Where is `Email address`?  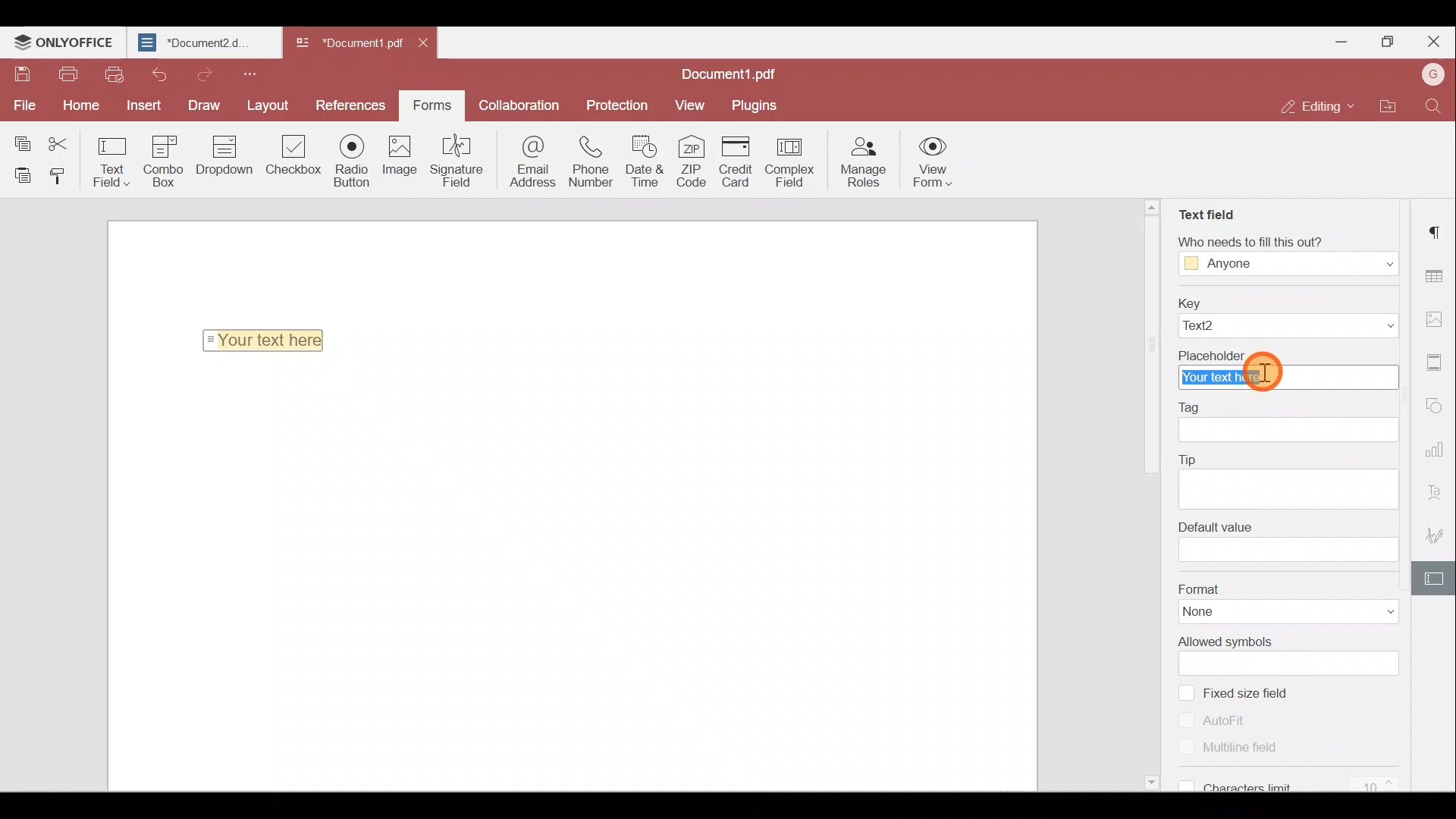 Email address is located at coordinates (526, 162).